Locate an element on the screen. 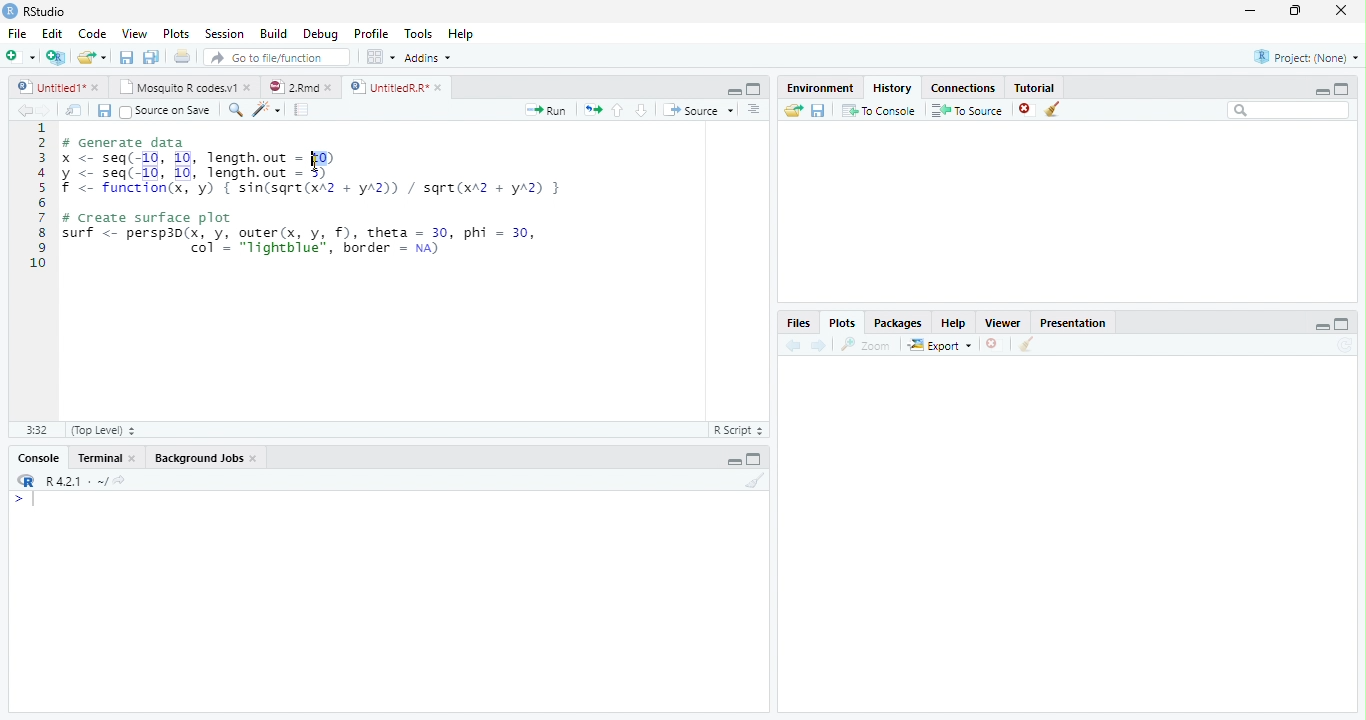 The image size is (1366, 720). R 4.2.1 . ~/ is located at coordinates (76, 480).